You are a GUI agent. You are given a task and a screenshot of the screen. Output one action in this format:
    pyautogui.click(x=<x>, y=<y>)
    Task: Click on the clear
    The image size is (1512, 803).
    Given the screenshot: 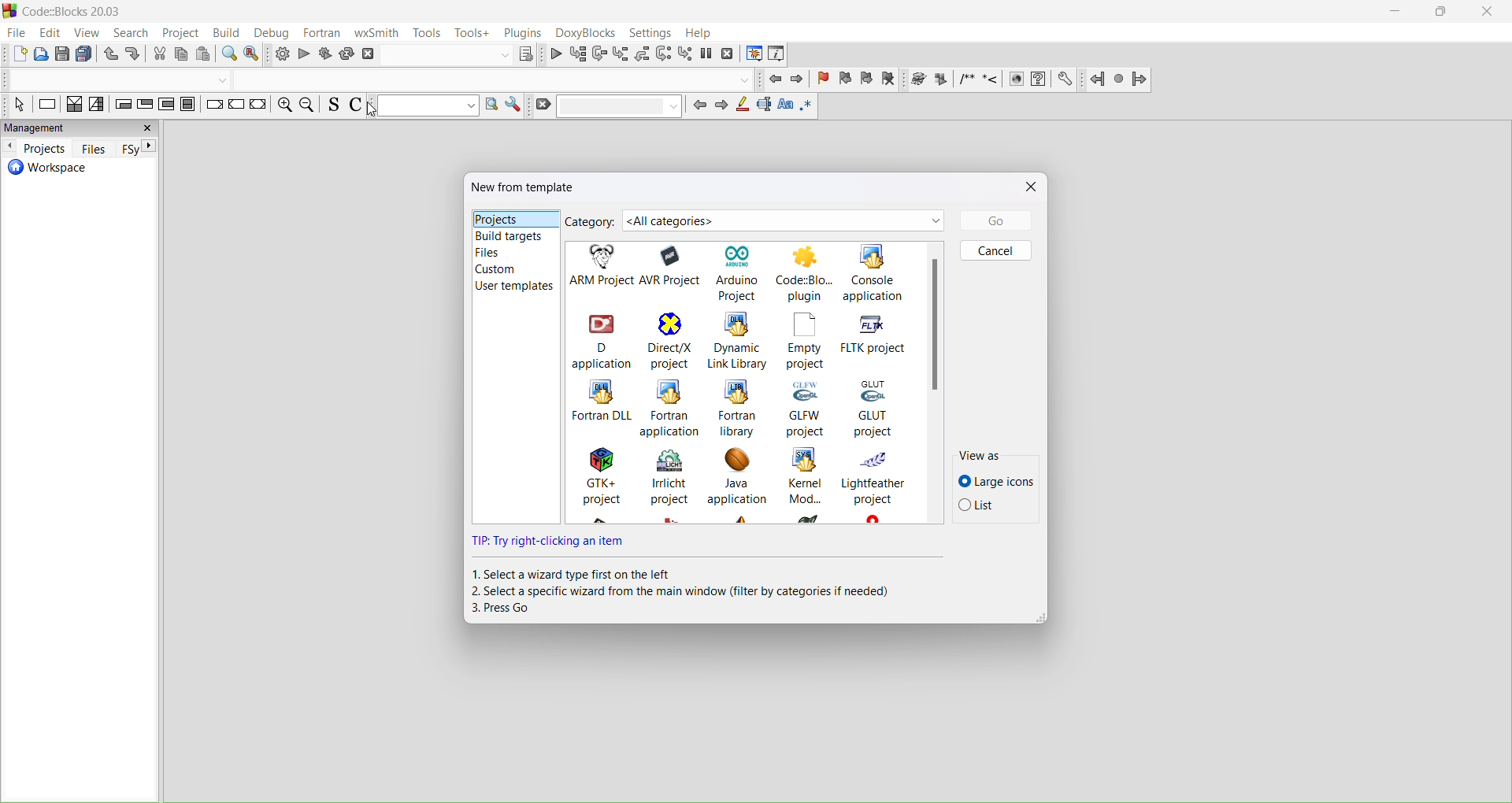 What is the action you would take?
    pyautogui.click(x=607, y=107)
    